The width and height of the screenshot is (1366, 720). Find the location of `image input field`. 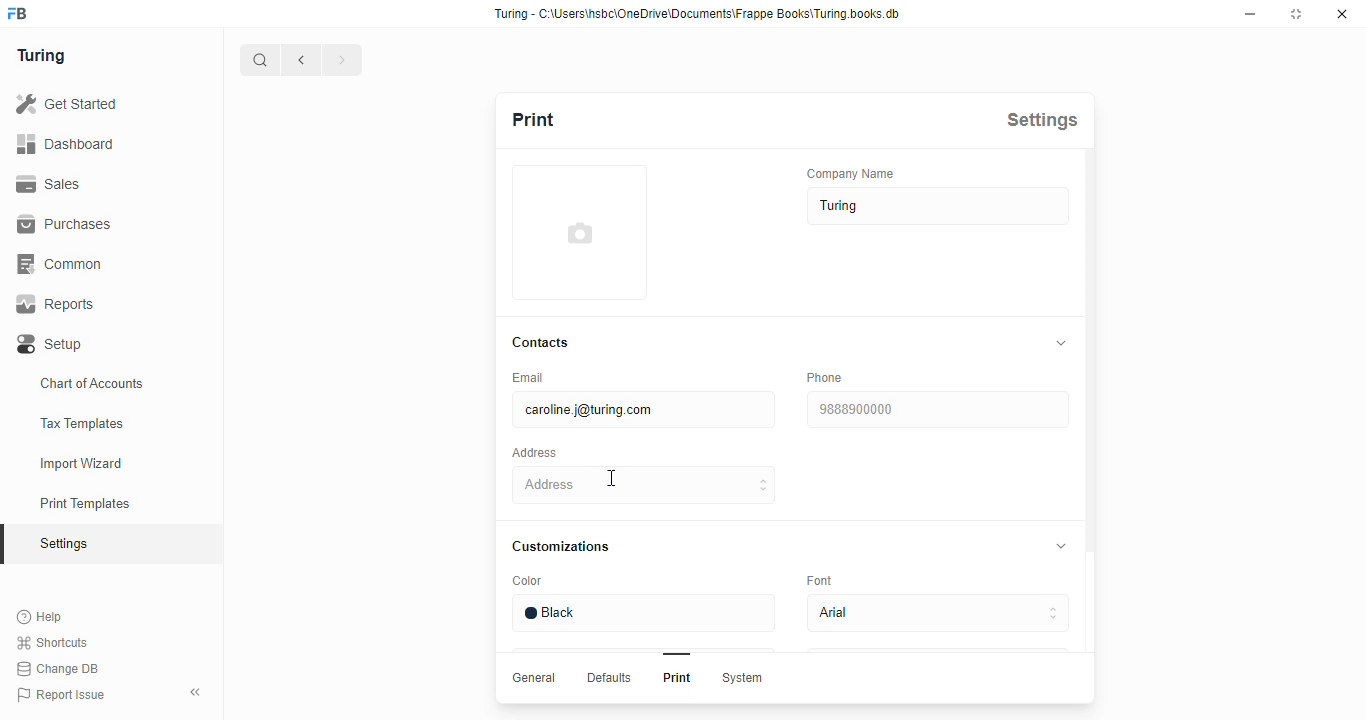

image input field is located at coordinates (580, 232).